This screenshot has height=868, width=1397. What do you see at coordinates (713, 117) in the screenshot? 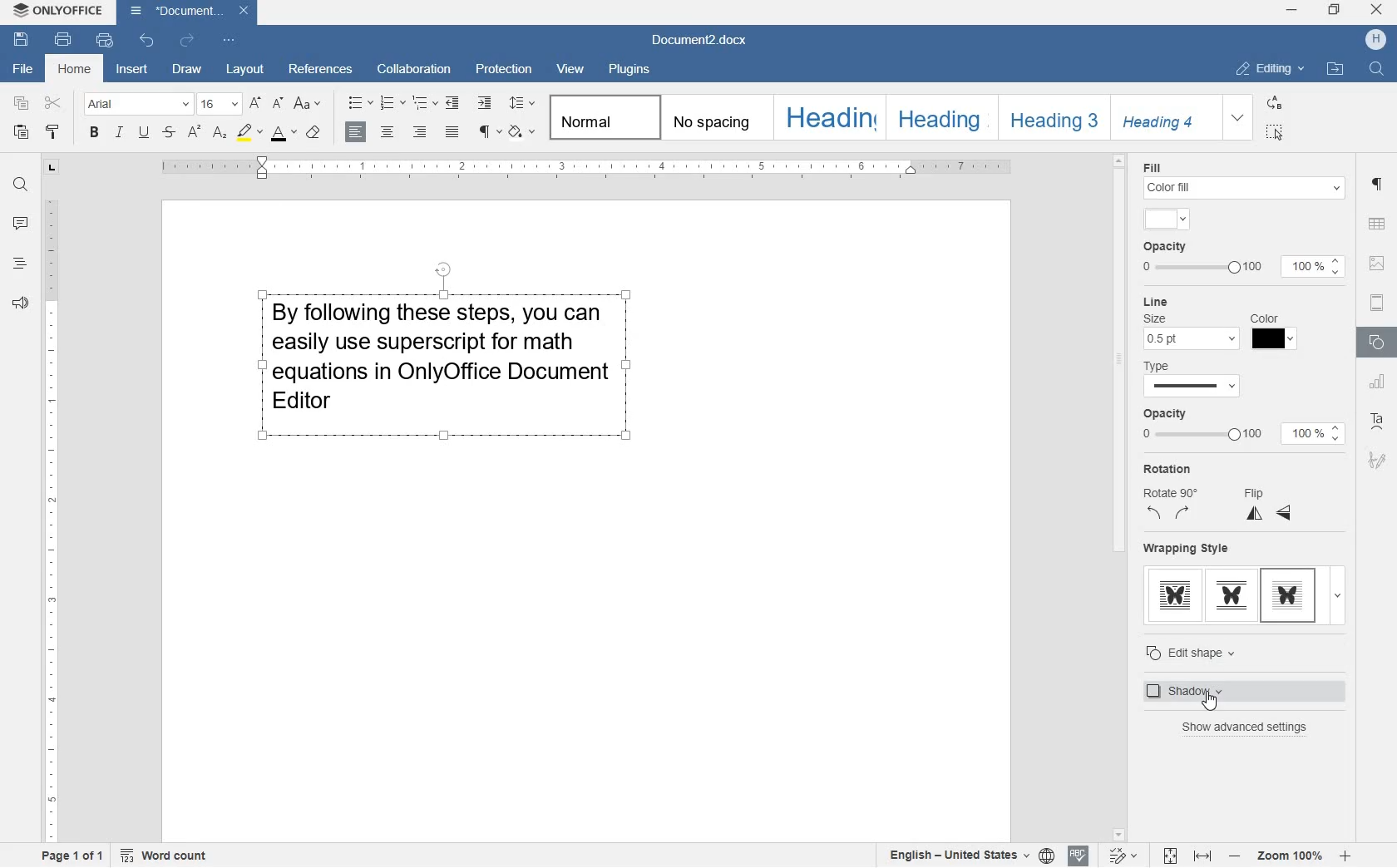
I see `No spacing` at bounding box center [713, 117].